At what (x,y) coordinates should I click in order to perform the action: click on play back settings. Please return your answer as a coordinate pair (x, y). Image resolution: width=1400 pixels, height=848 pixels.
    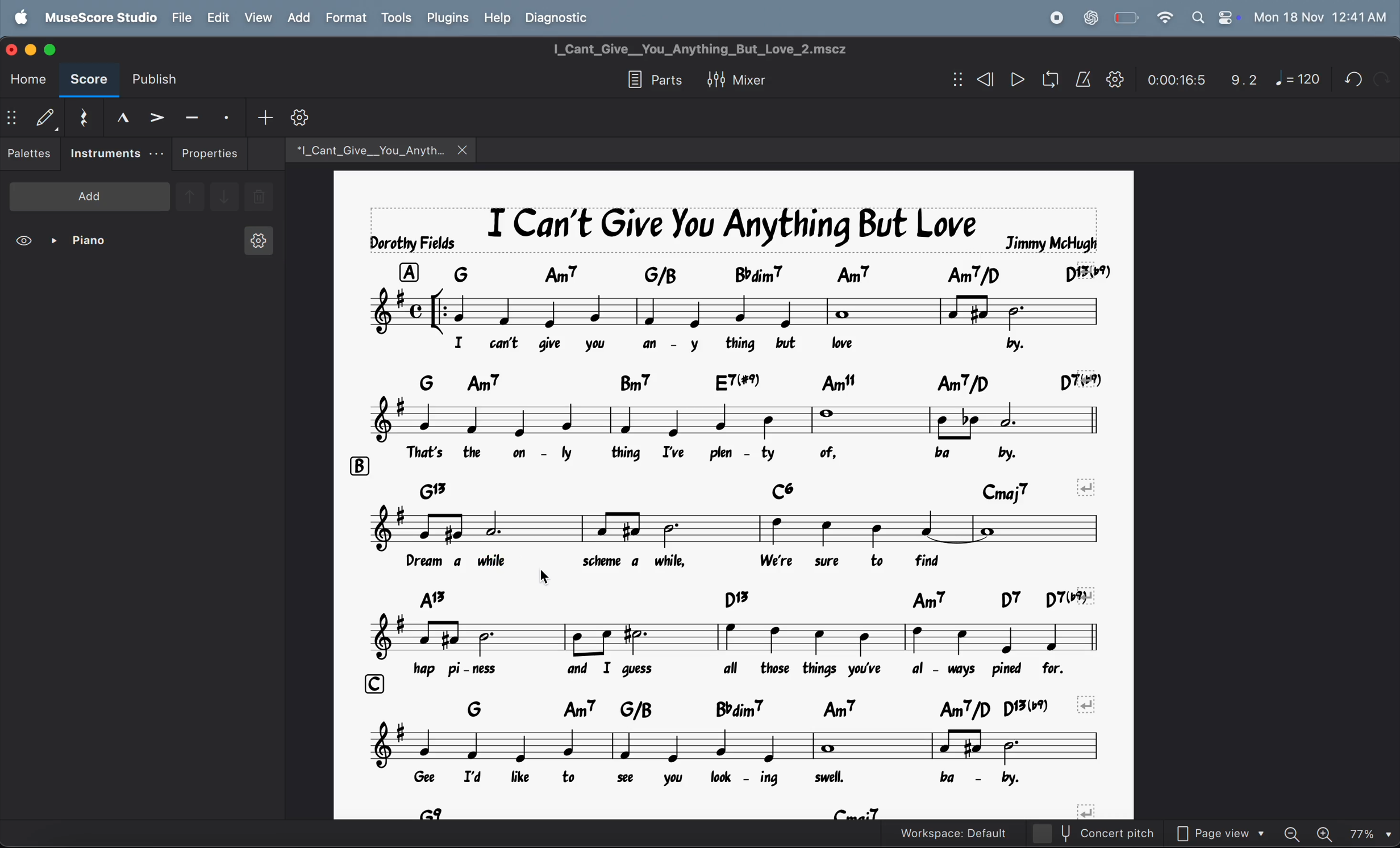
    Looking at the image, I should click on (1115, 81).